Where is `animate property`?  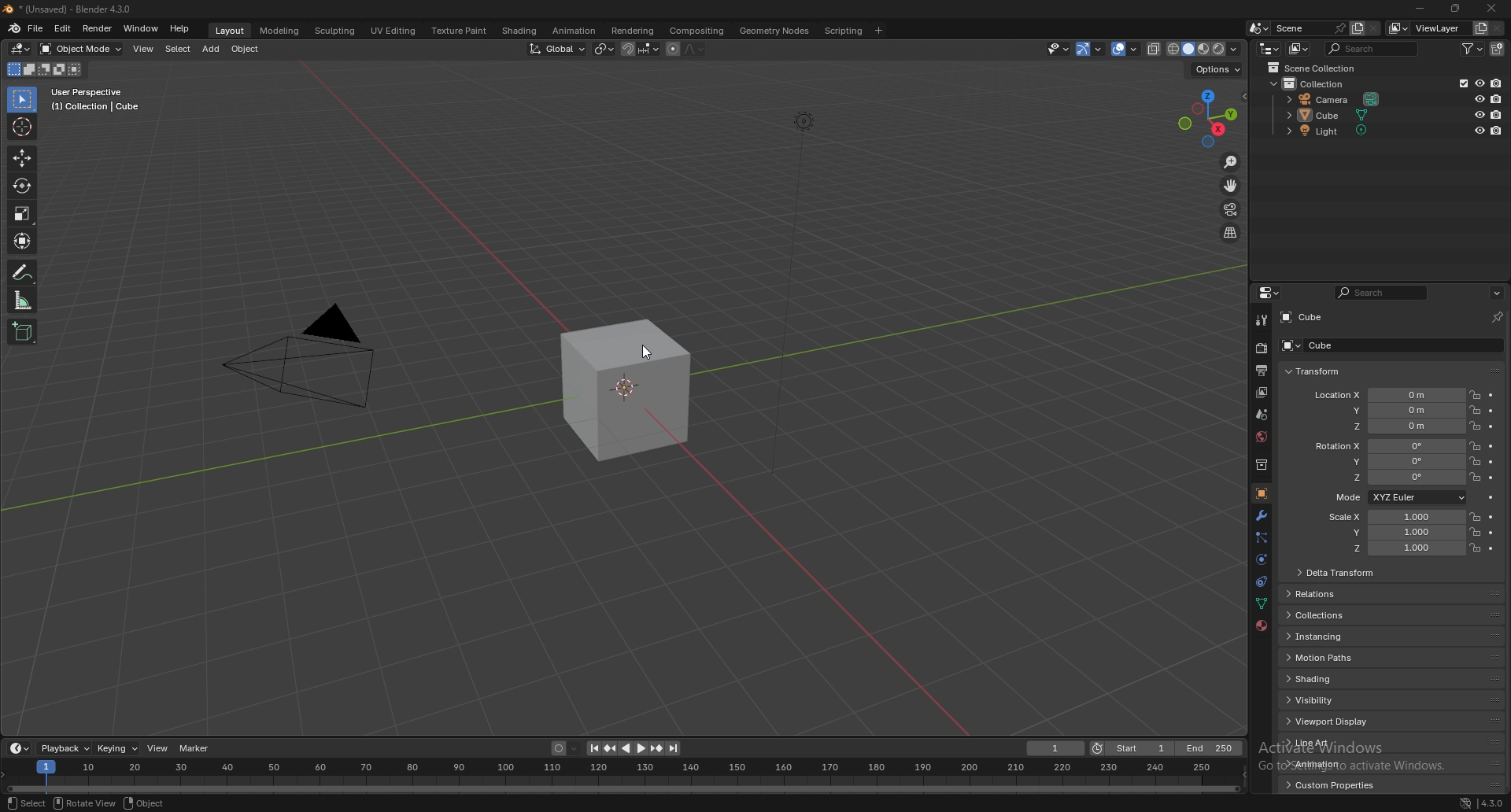
animate property is located at coordinates (1491, 396).